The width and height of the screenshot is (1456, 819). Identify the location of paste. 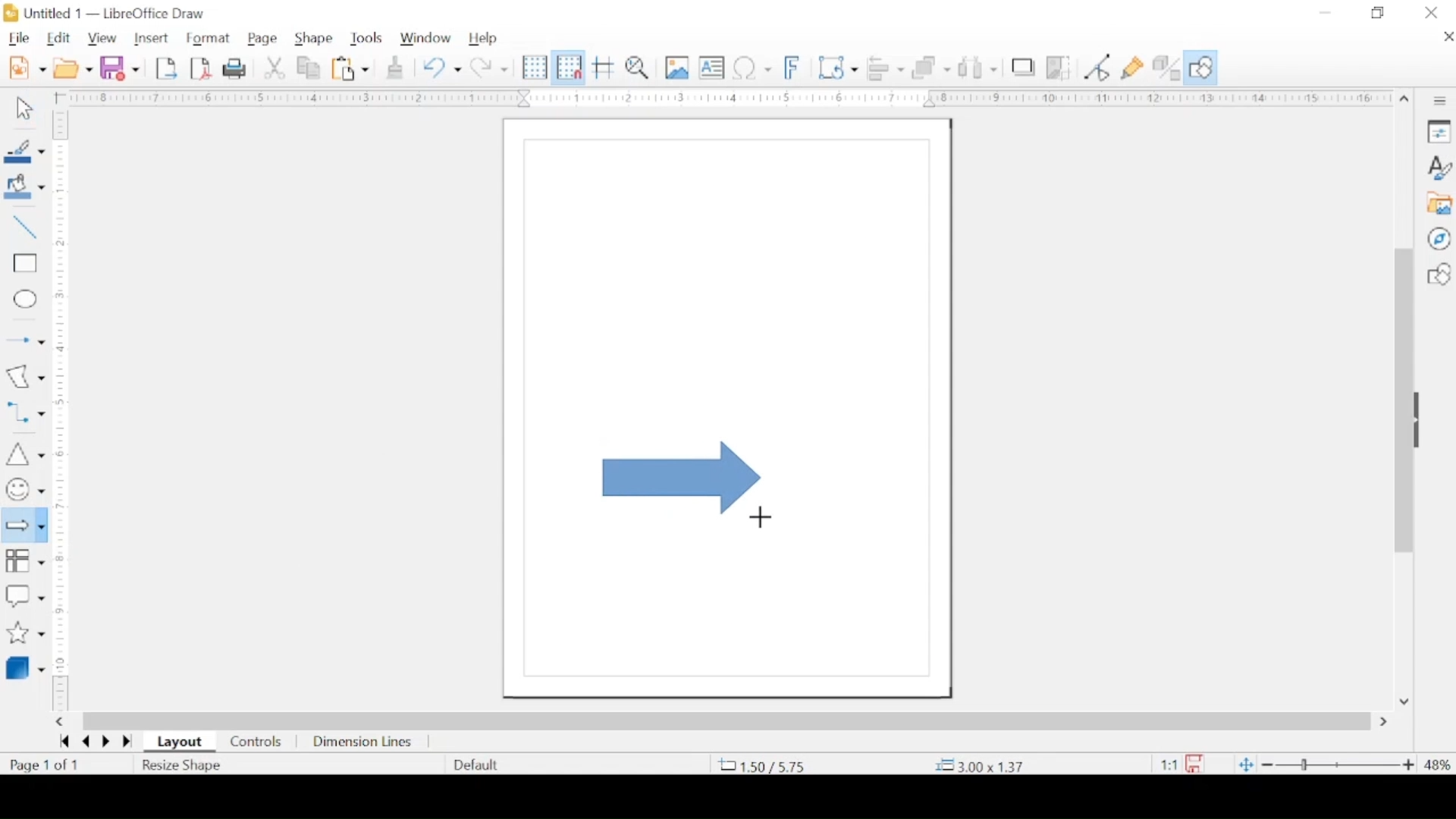
(350, 67).